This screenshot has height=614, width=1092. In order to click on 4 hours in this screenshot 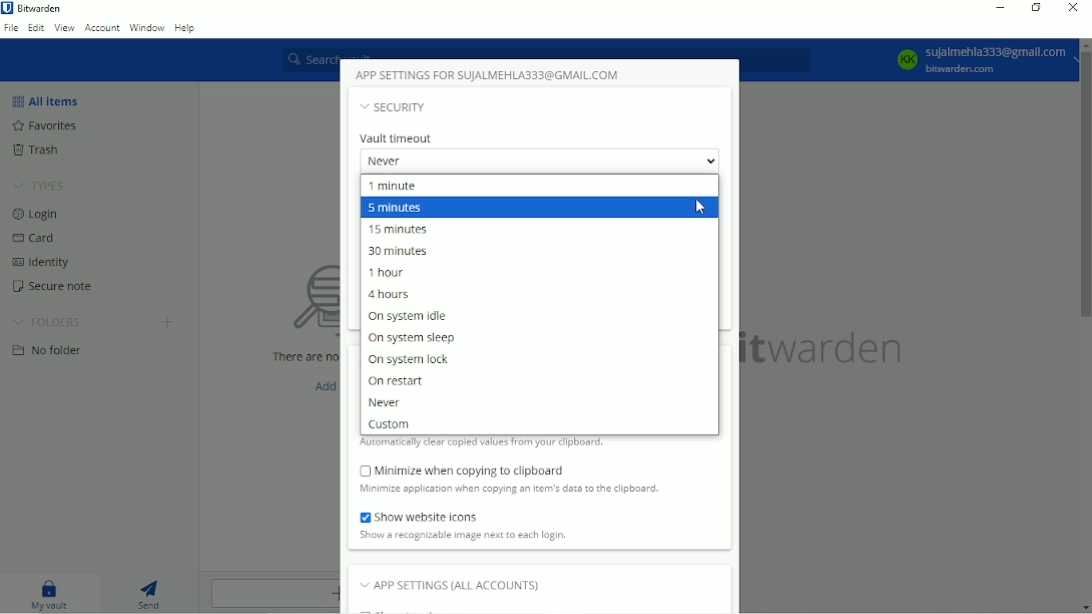, I will do `click(391, 294)`.